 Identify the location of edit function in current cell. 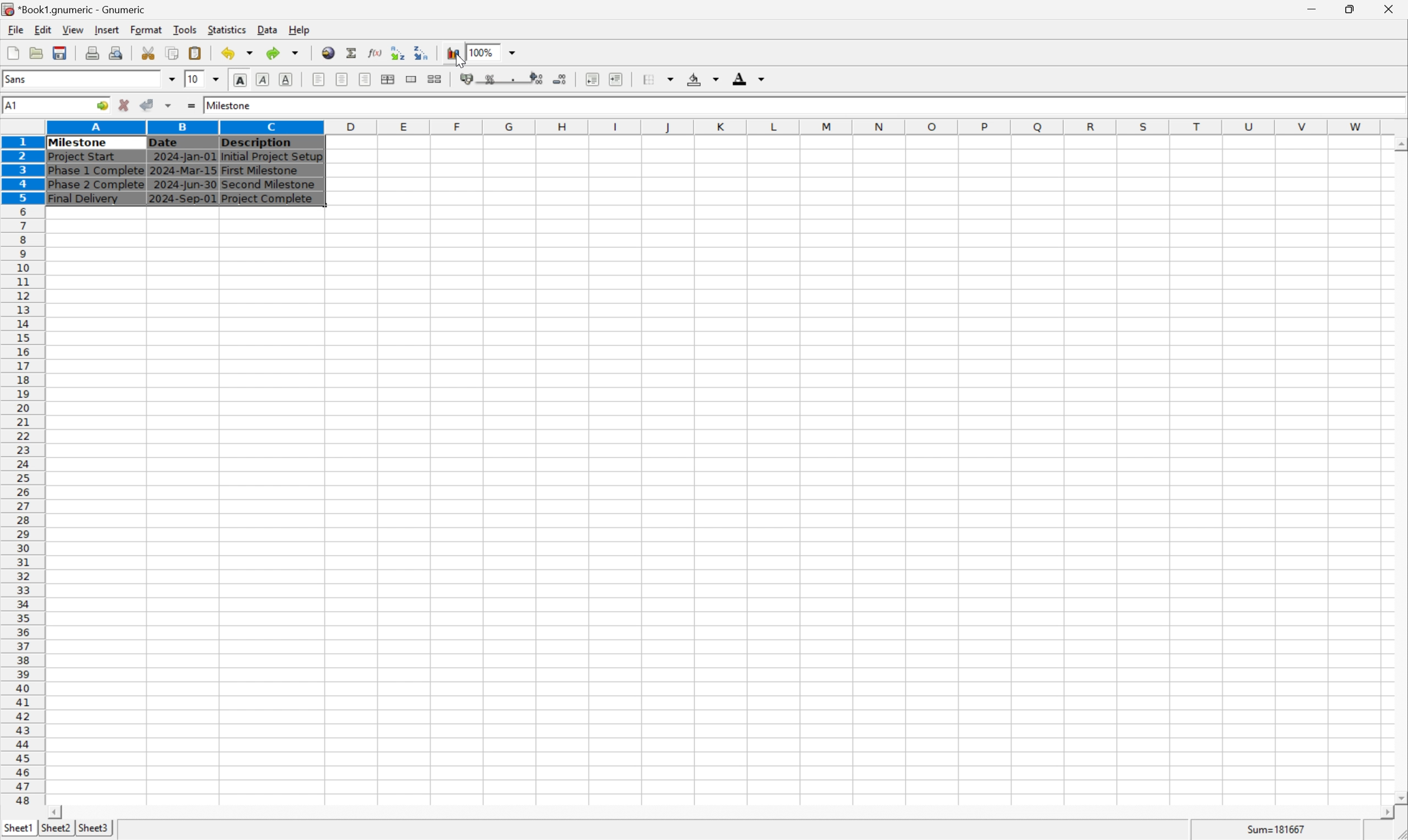
(374, 52).